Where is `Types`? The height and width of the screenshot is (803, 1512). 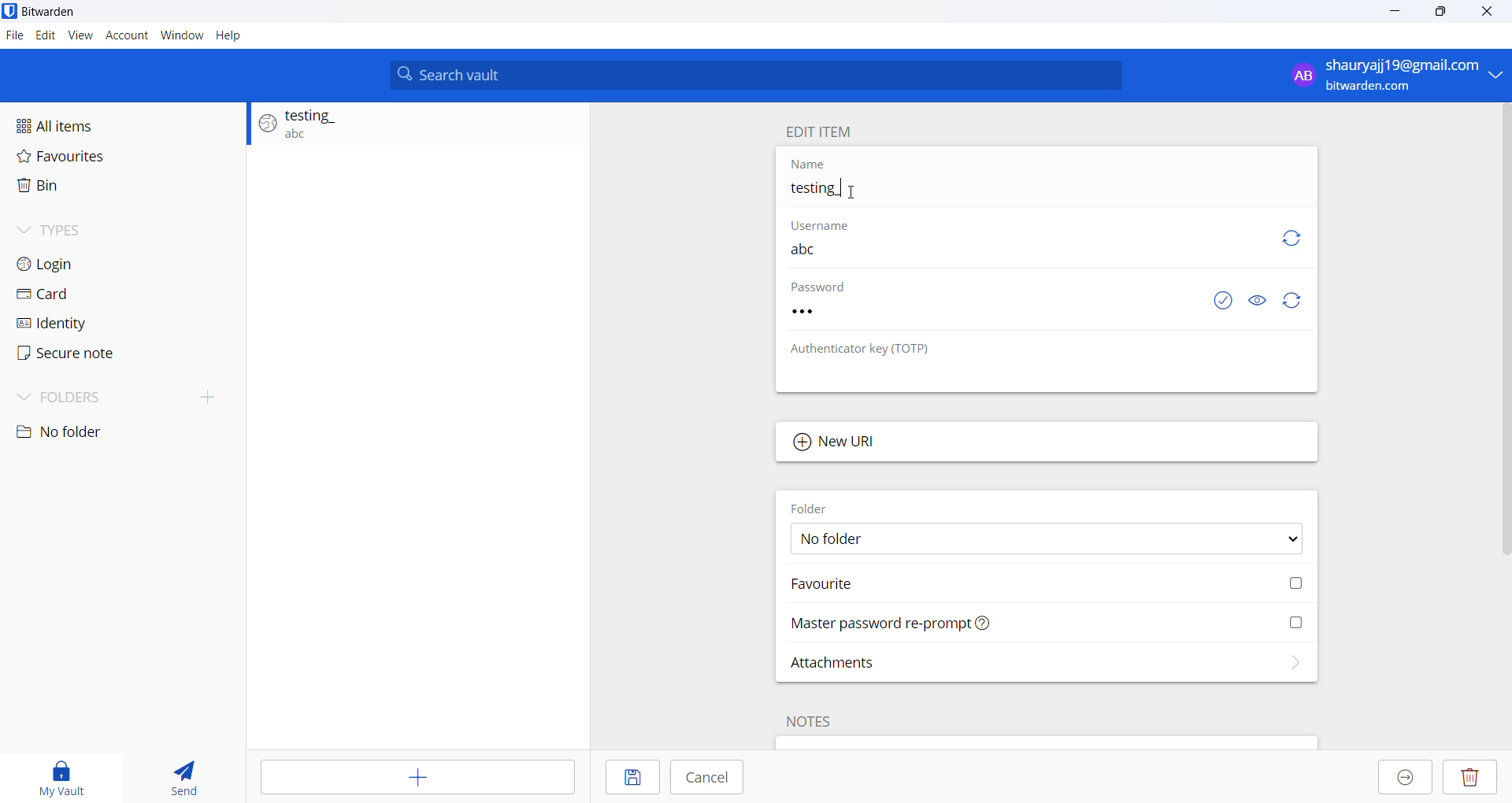
Types is located at coordinates (116, 227).